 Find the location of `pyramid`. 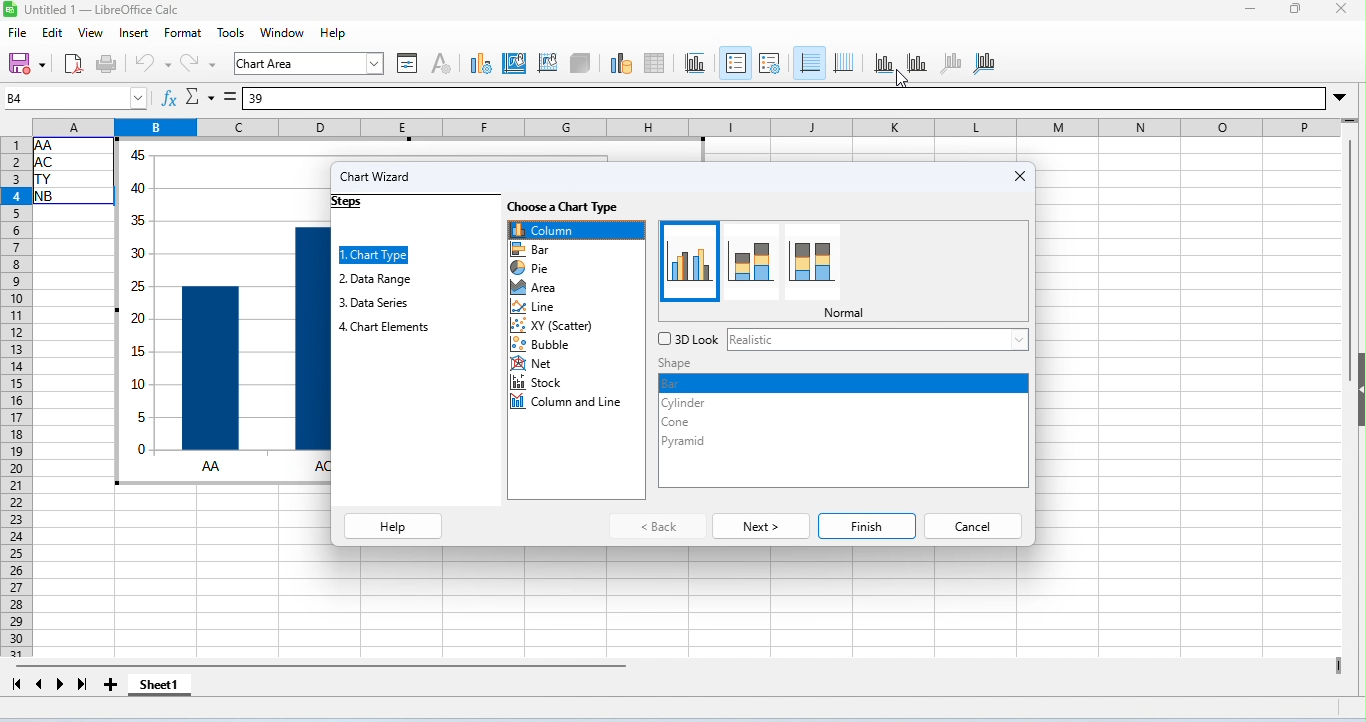

pyramid is located at coordinates (683, 444).